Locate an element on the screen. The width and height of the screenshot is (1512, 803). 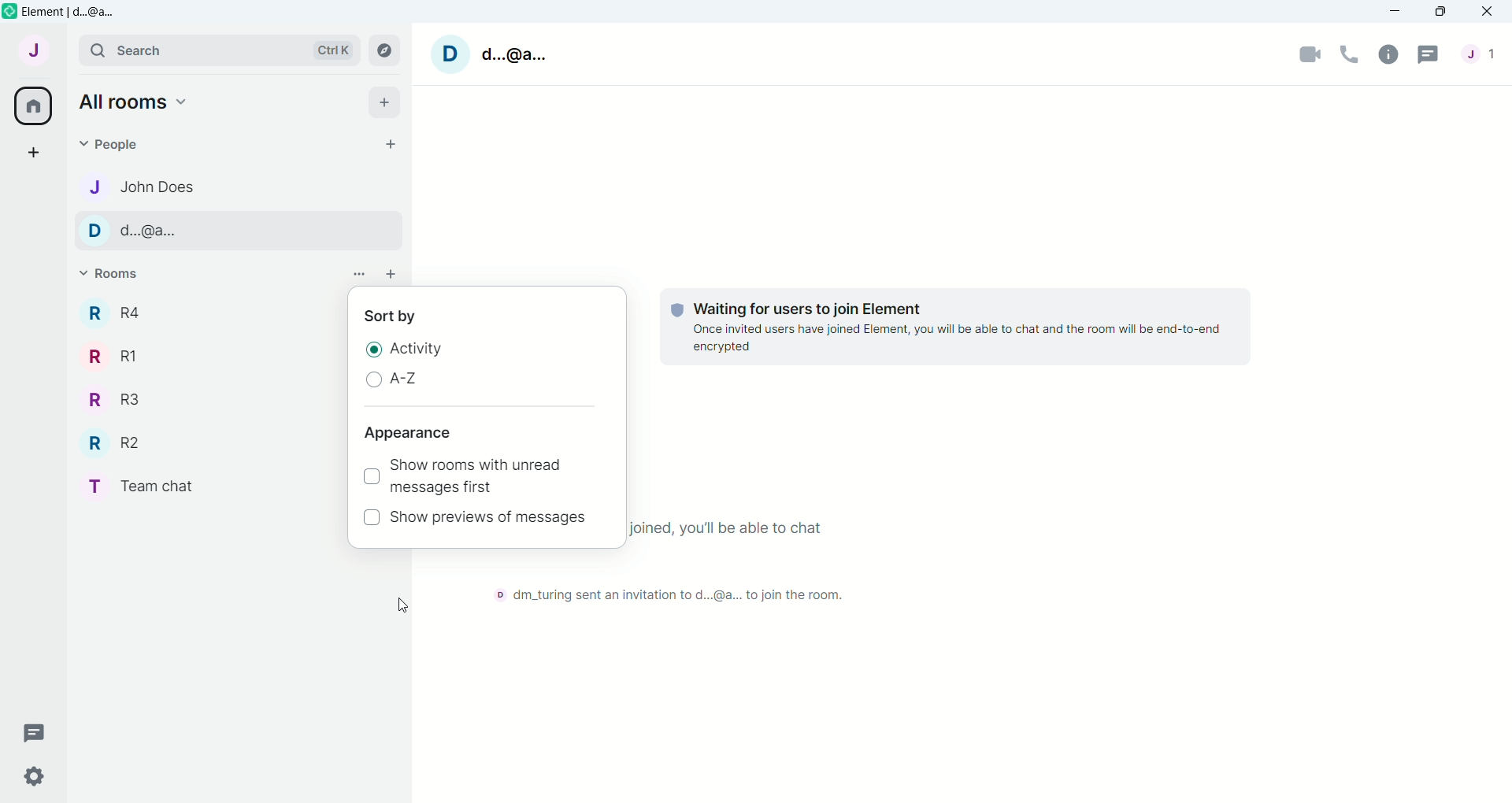
add room is located at coordinates (391, 275).